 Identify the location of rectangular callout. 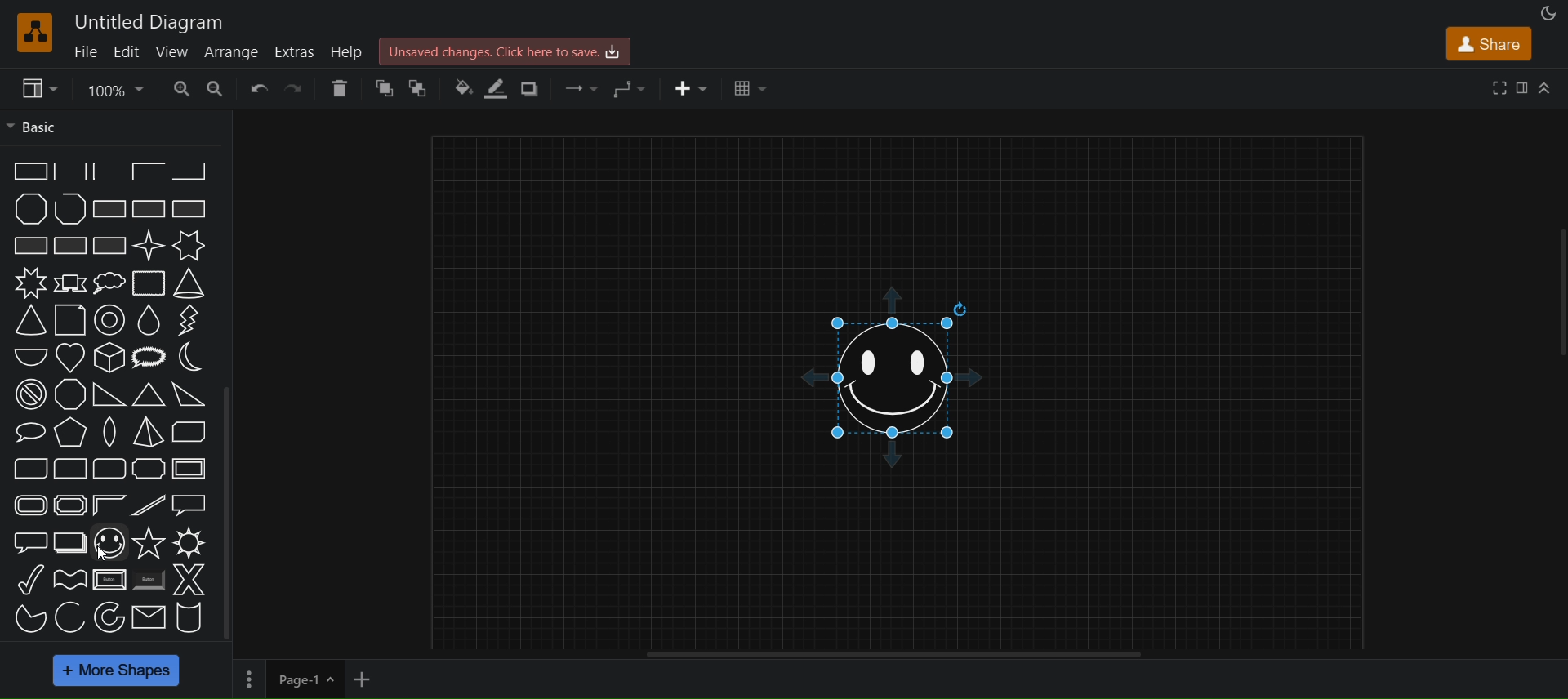
(189, 505).